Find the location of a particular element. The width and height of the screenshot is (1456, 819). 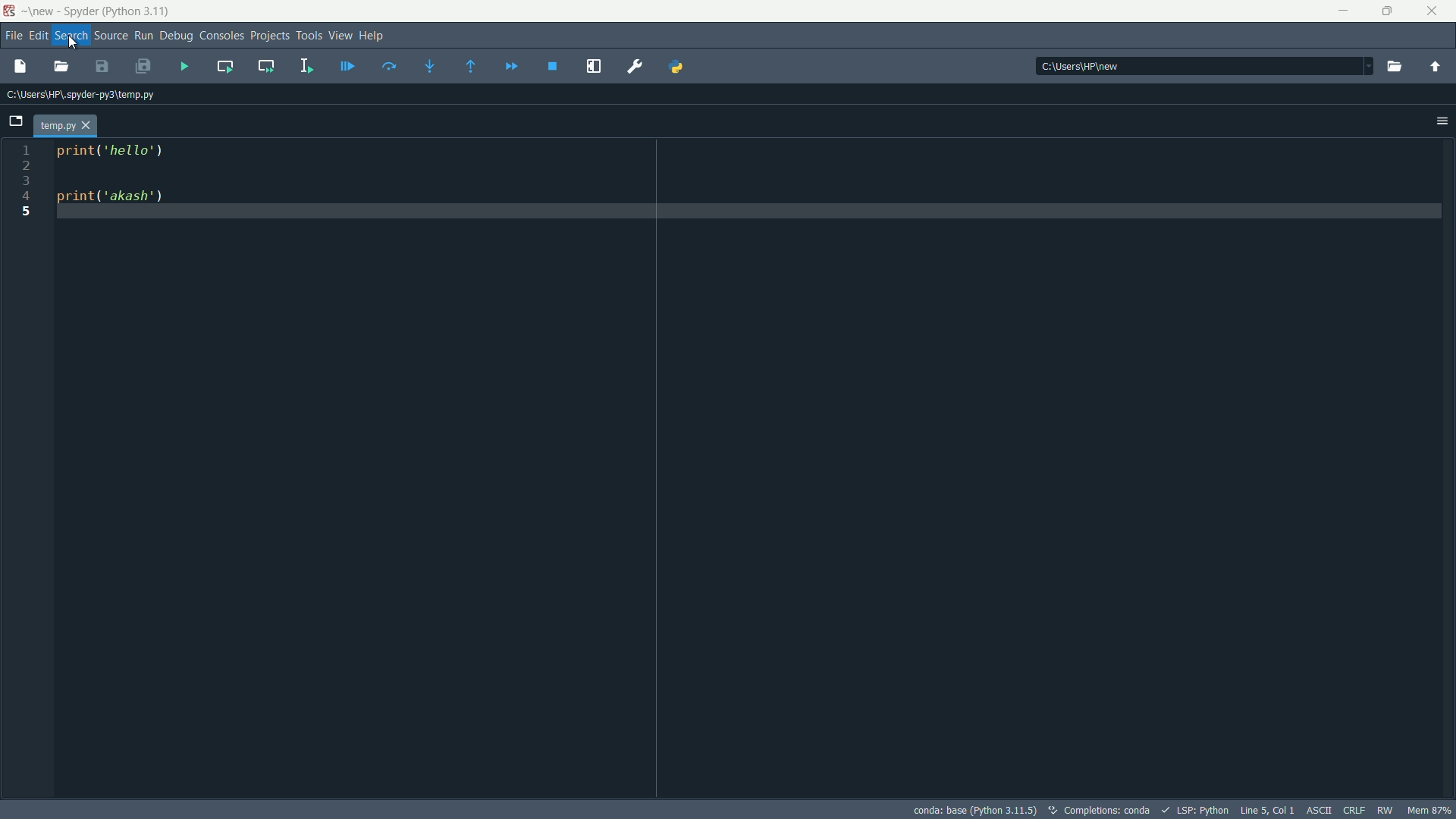

projects menu is located at coordinates (270, 36).